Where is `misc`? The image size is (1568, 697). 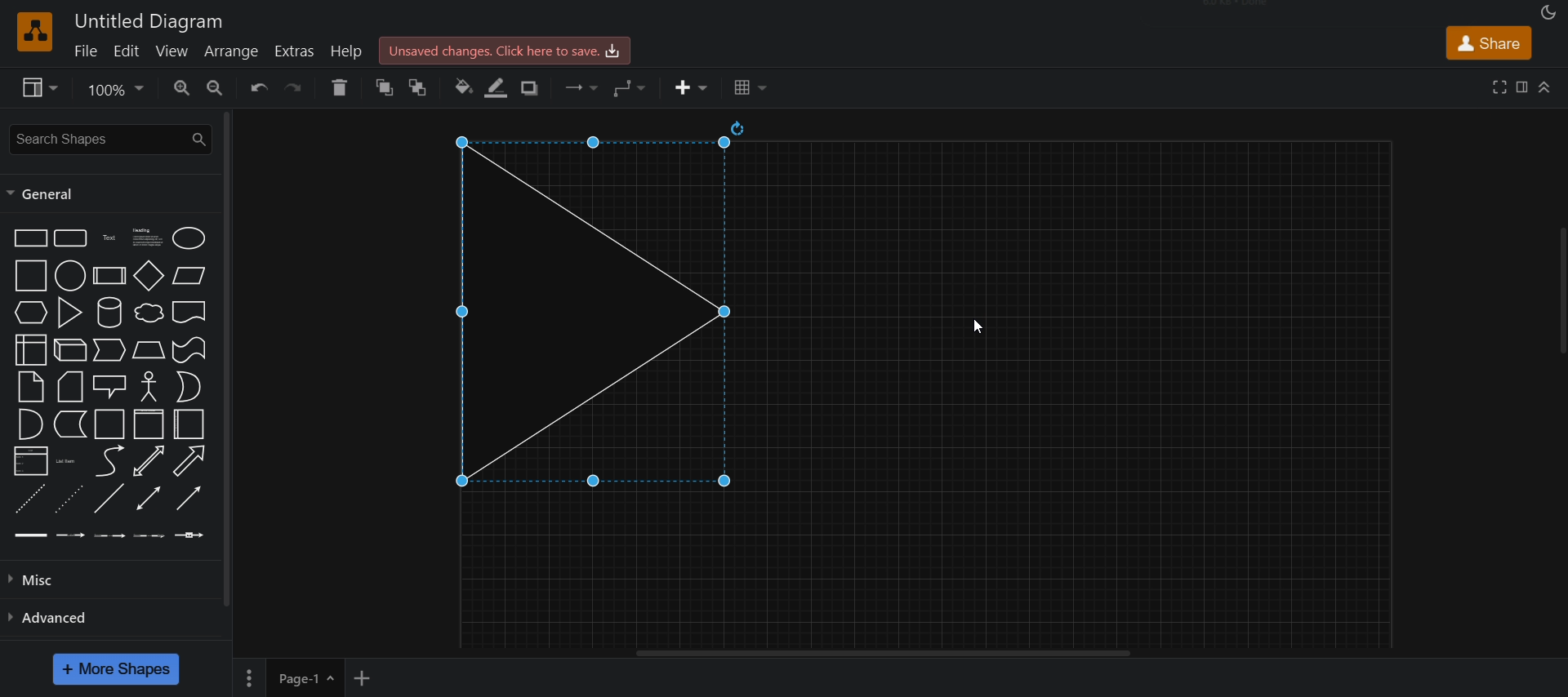
misc is located at coordinates (108, 582).